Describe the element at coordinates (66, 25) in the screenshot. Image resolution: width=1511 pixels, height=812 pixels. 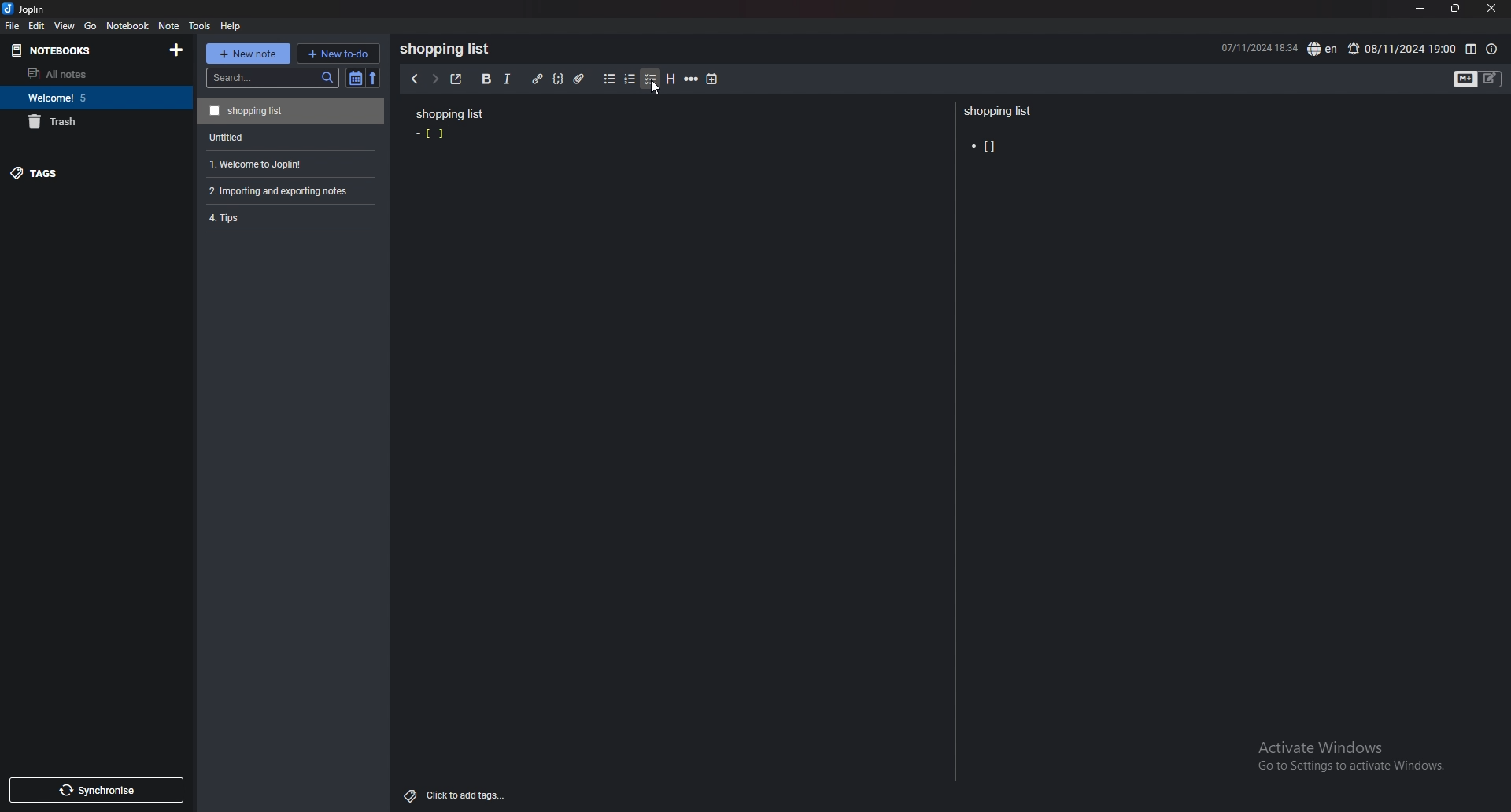
I see `view` at that location.